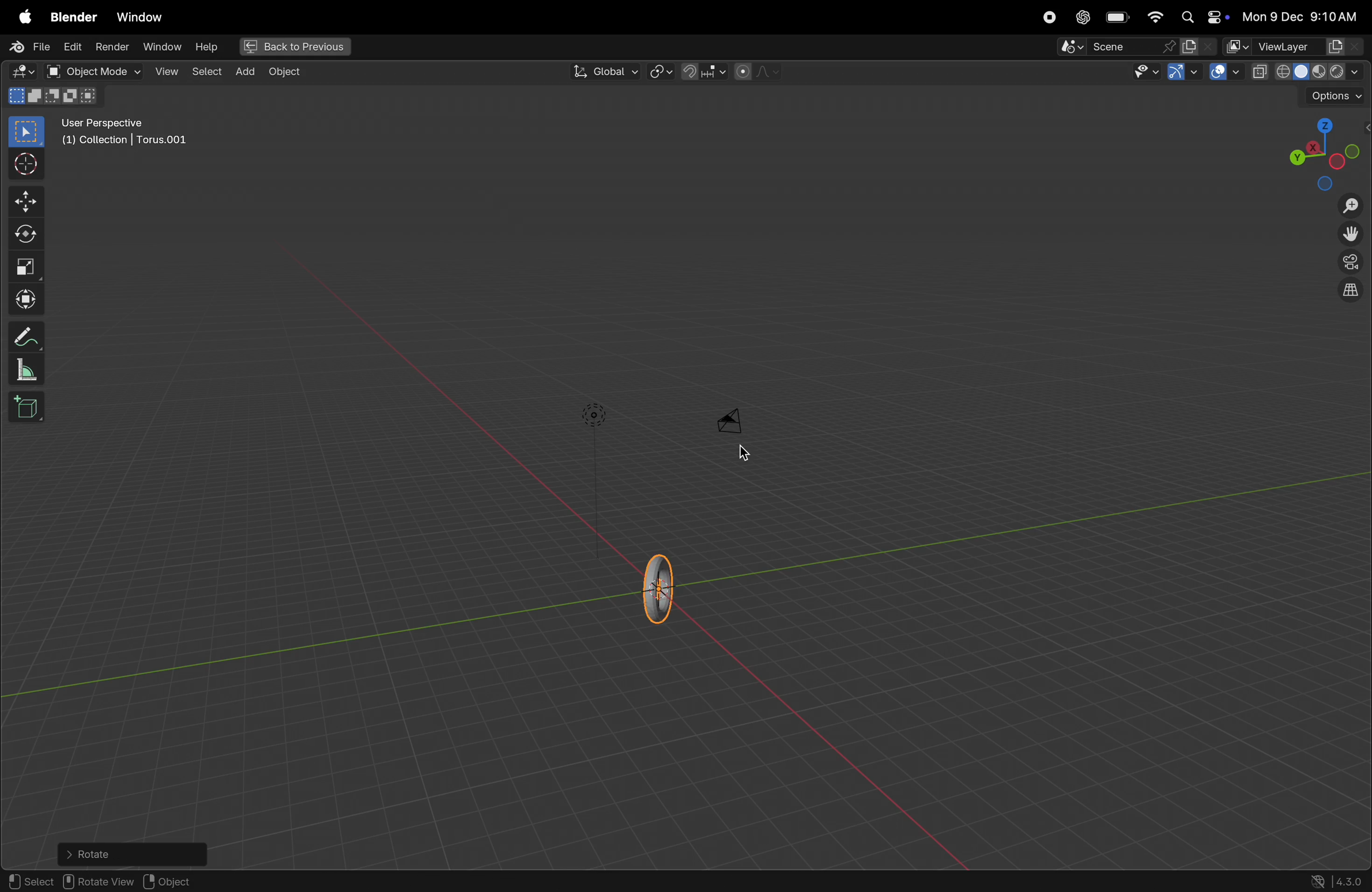 Image resolution: width=1372 pixels, height=892 pixels. I want to click on visibility, so click(1143, 73).